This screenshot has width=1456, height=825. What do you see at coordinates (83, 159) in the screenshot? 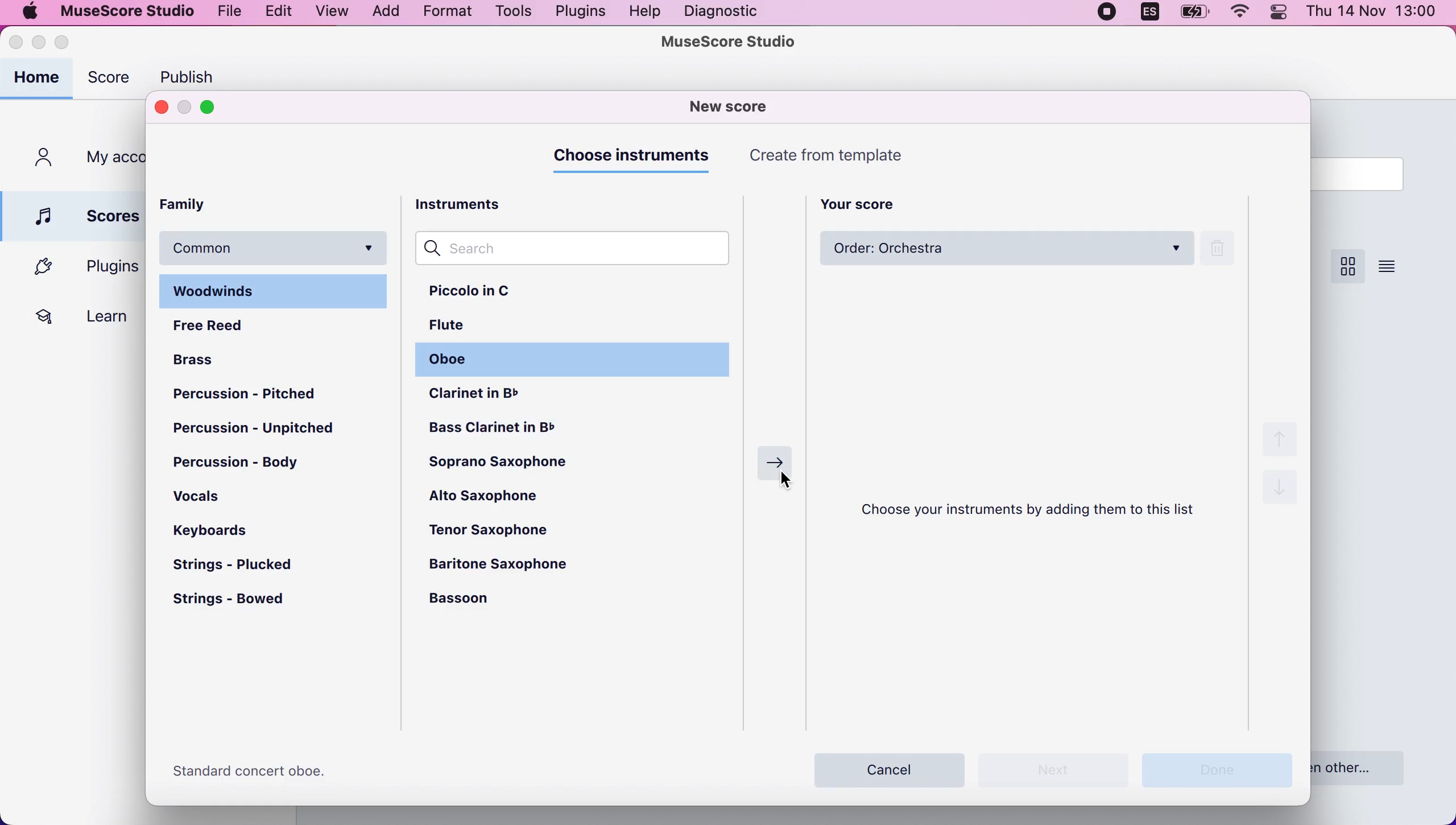
I see `my accounts` at bounding box center [83, 159].